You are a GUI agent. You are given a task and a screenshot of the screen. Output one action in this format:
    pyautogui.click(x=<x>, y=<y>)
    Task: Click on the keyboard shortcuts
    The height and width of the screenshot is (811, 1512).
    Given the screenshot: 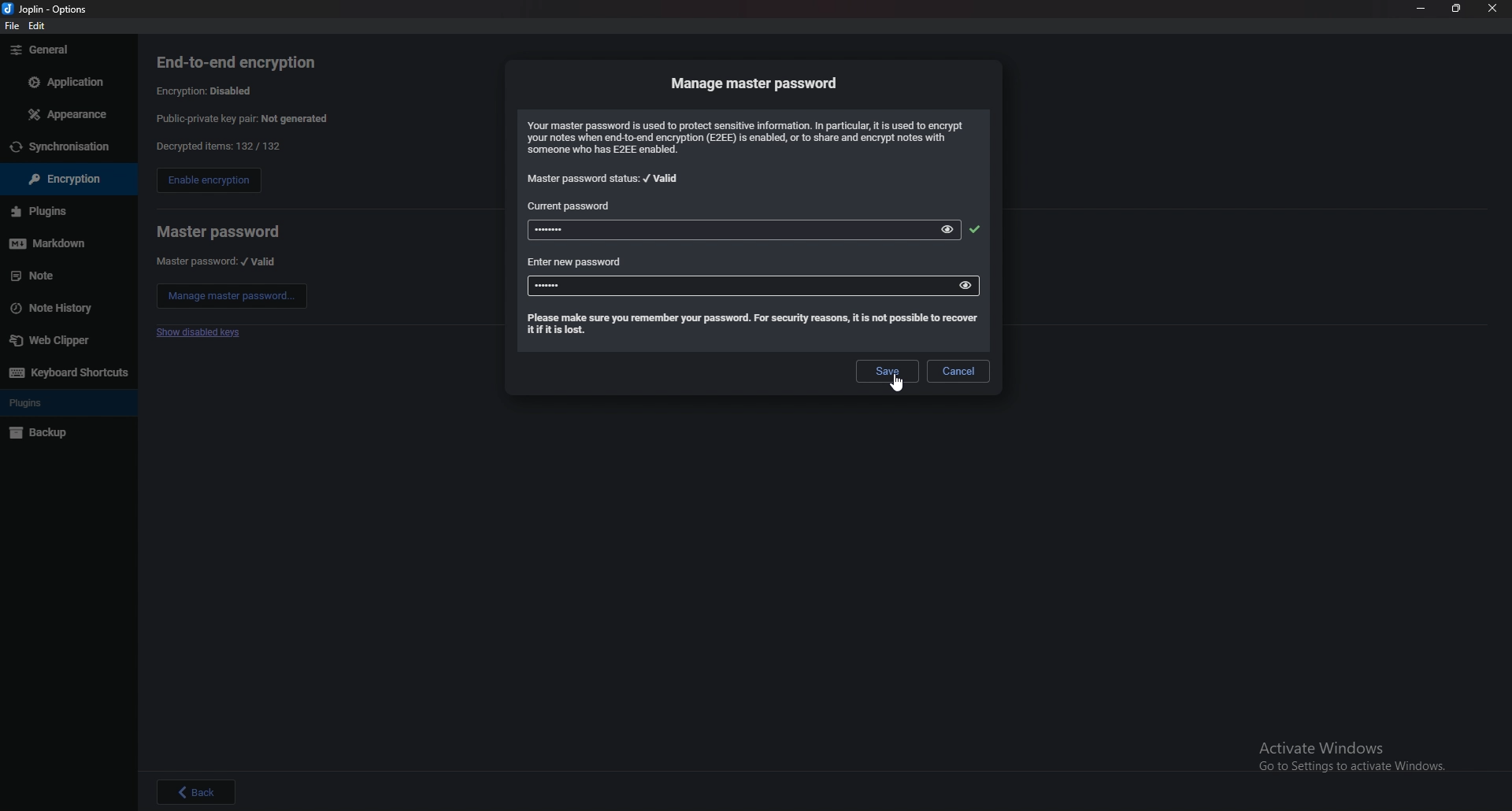 What is the action you would take?
    pyautogui.click(x=67, y=372)
    